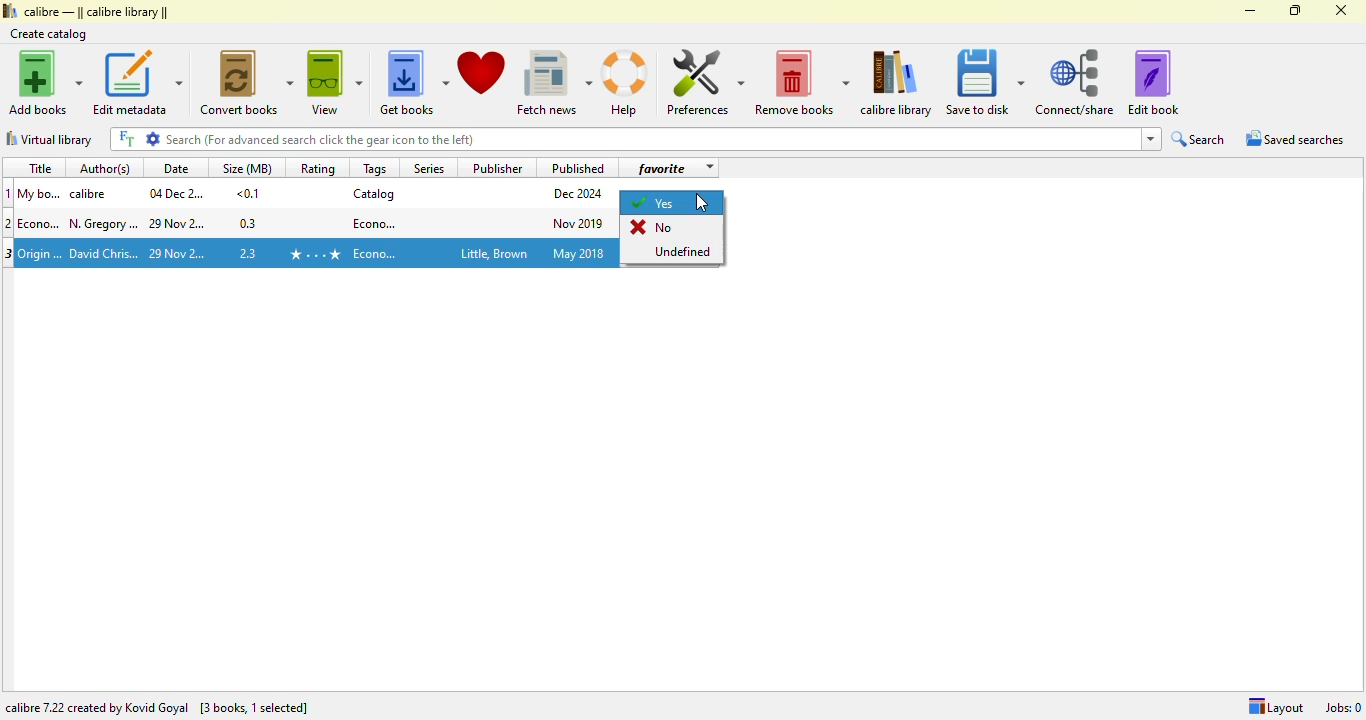  What do you see at coordinates (662, 168) in the screenshot?
I see `favorite` at bounding box center [662, 168].